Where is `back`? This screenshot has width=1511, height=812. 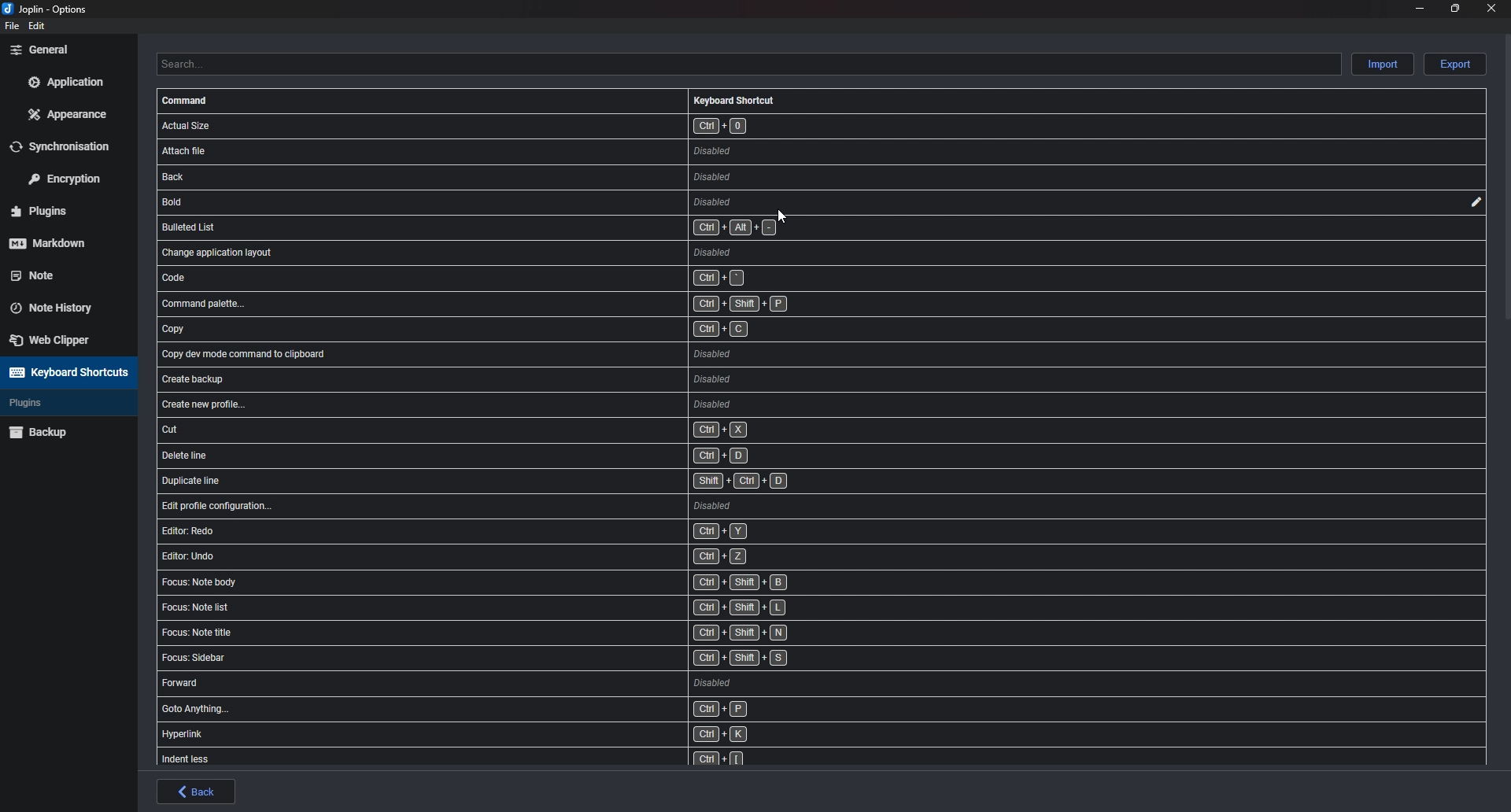
back is located at coordinates (197, 792).